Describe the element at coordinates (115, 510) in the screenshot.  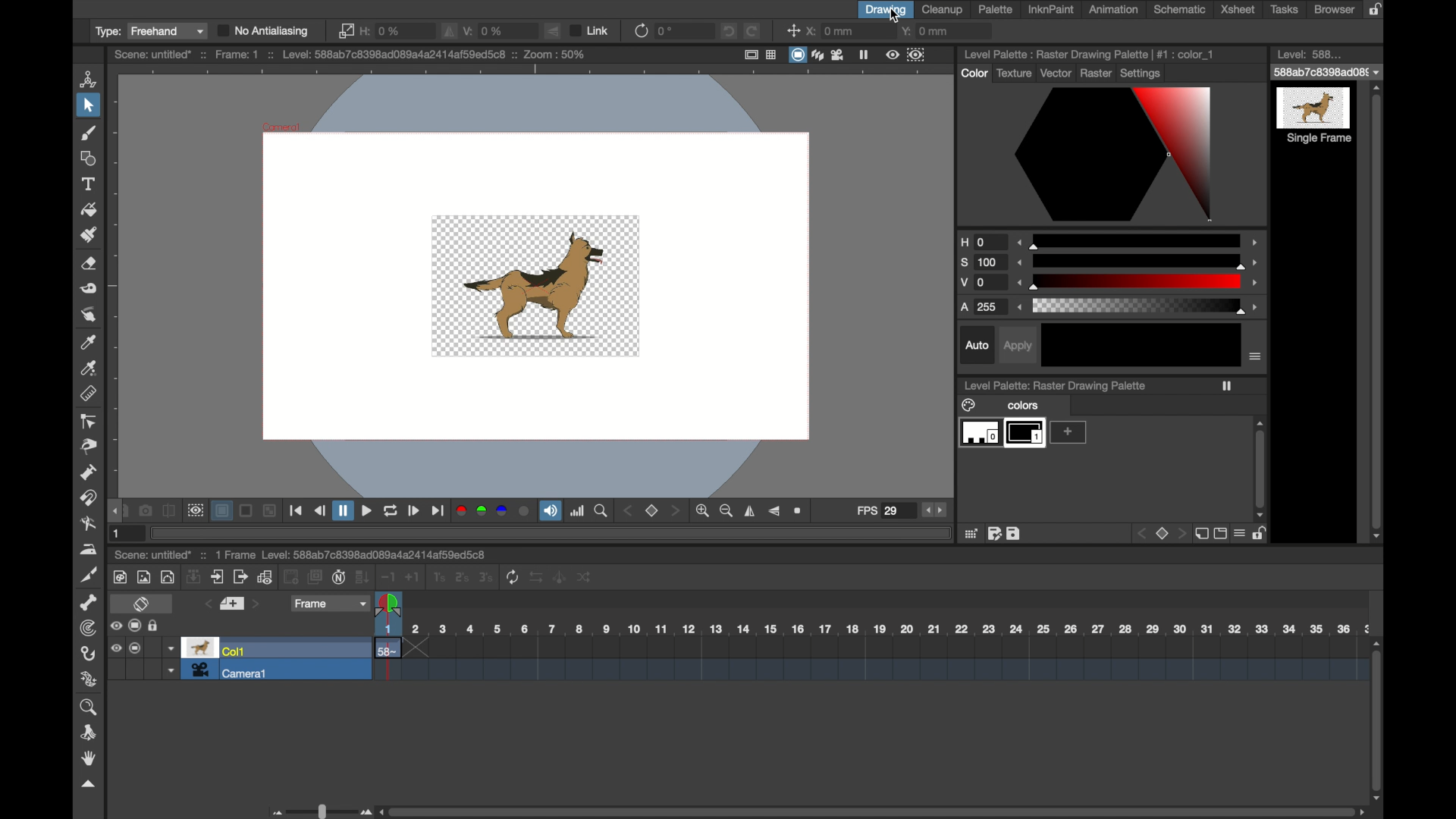
I see `drag handle` at that location.